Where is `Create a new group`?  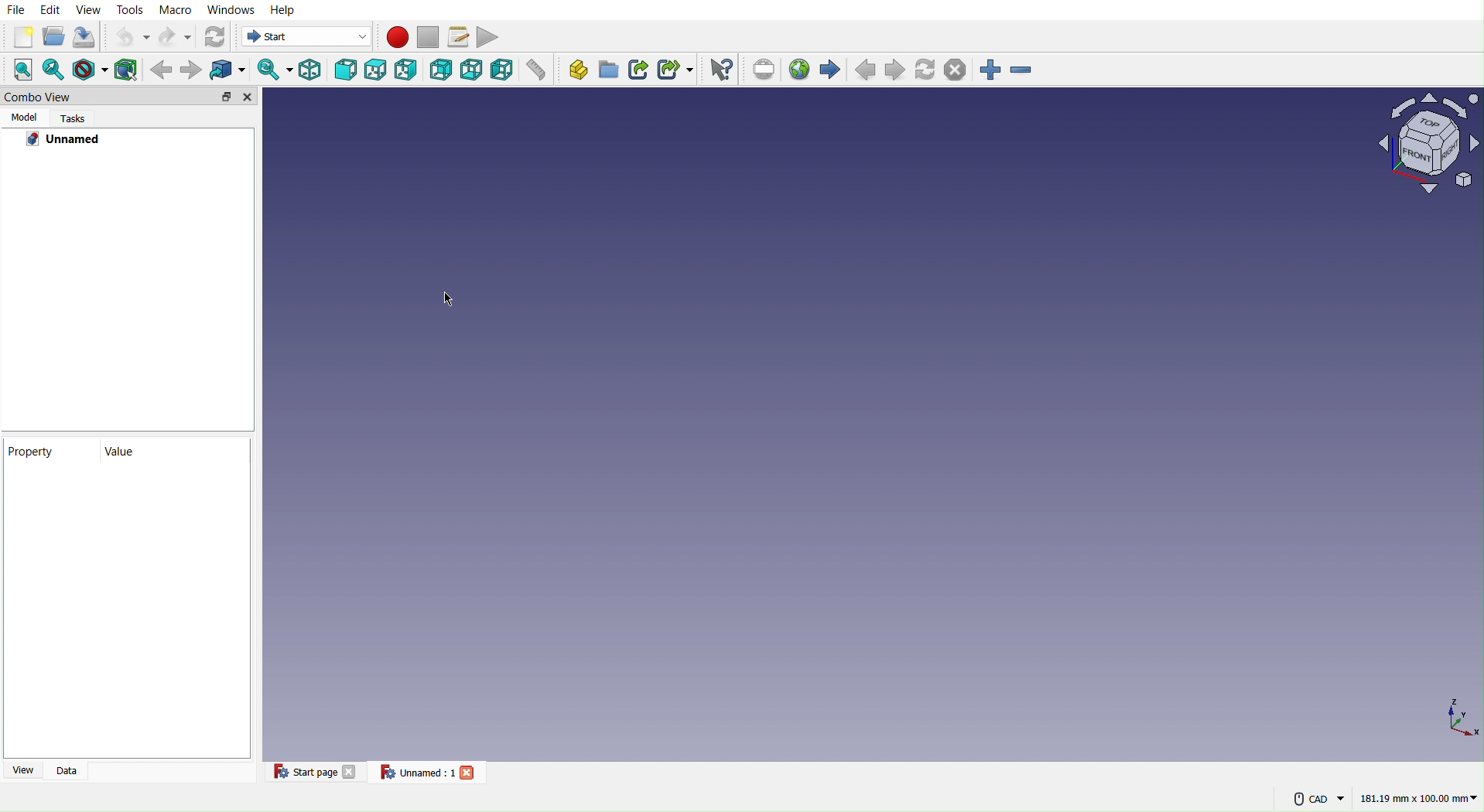
Create a new group is located at coordinates (608, 70).